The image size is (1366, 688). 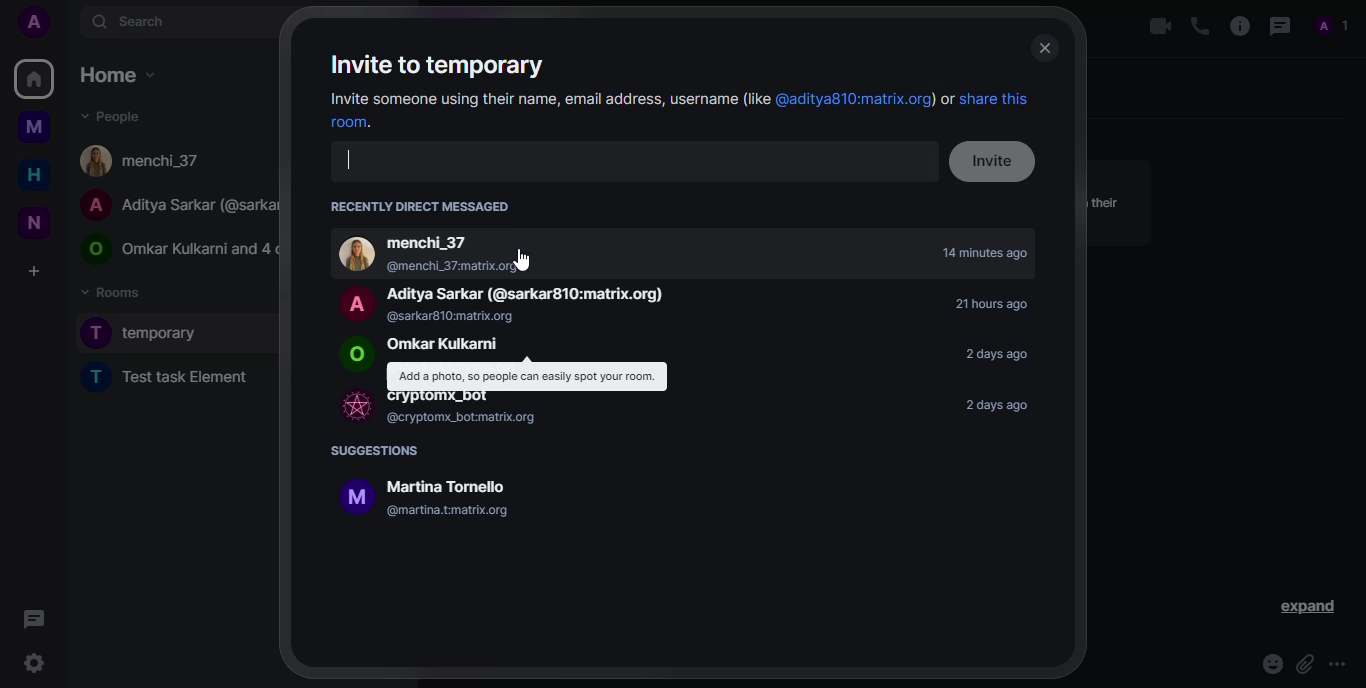 I want to click on @cryptomx_botmatrix.org, so click(x=459, y=418).